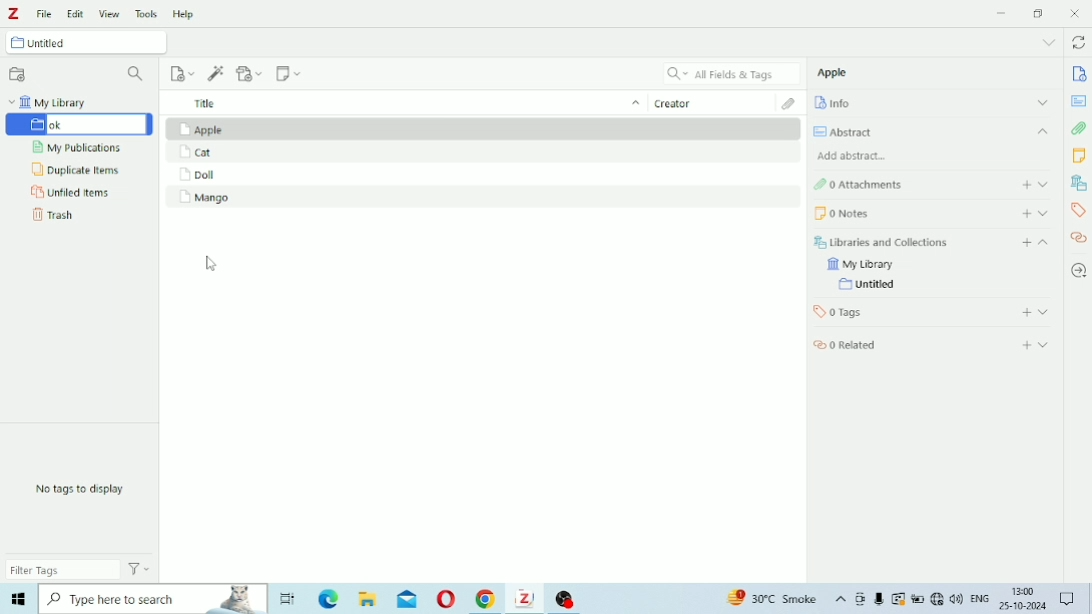 The height and width of the screenshot is (614, 1092). Describe the element at coordinates (1044, 243) in the screenshot. I see `Collapse section` at that location.